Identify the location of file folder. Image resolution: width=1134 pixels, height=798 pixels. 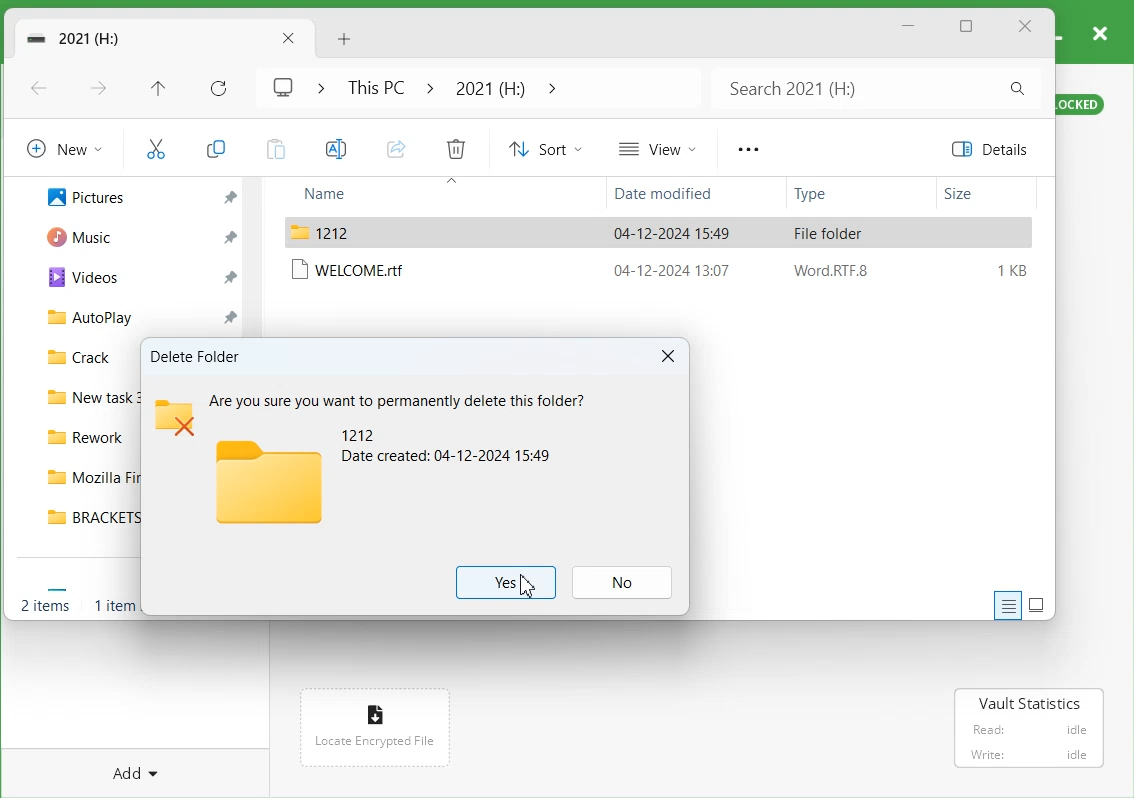
(659, 233).